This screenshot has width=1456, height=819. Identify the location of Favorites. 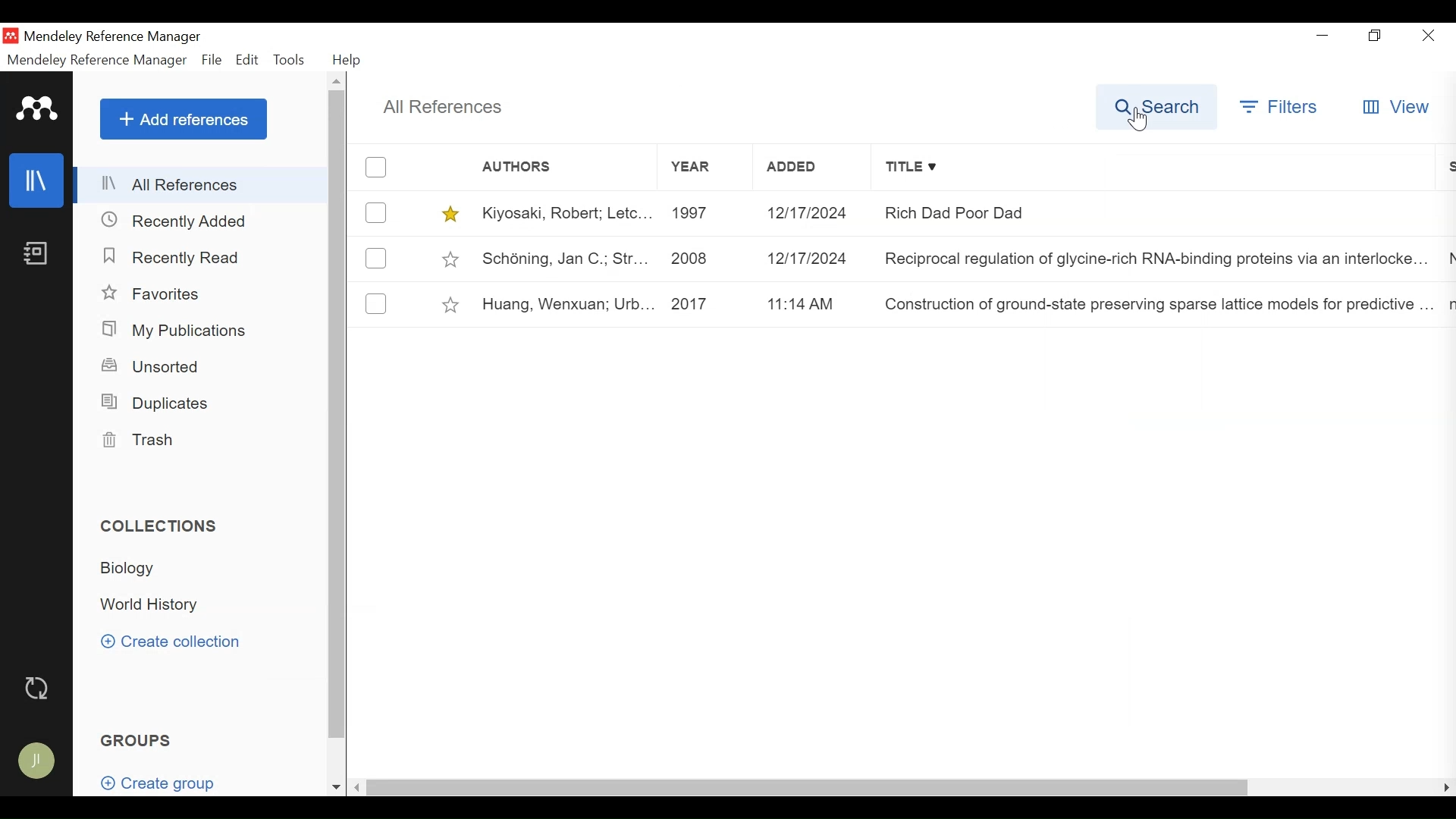
(158, 293).